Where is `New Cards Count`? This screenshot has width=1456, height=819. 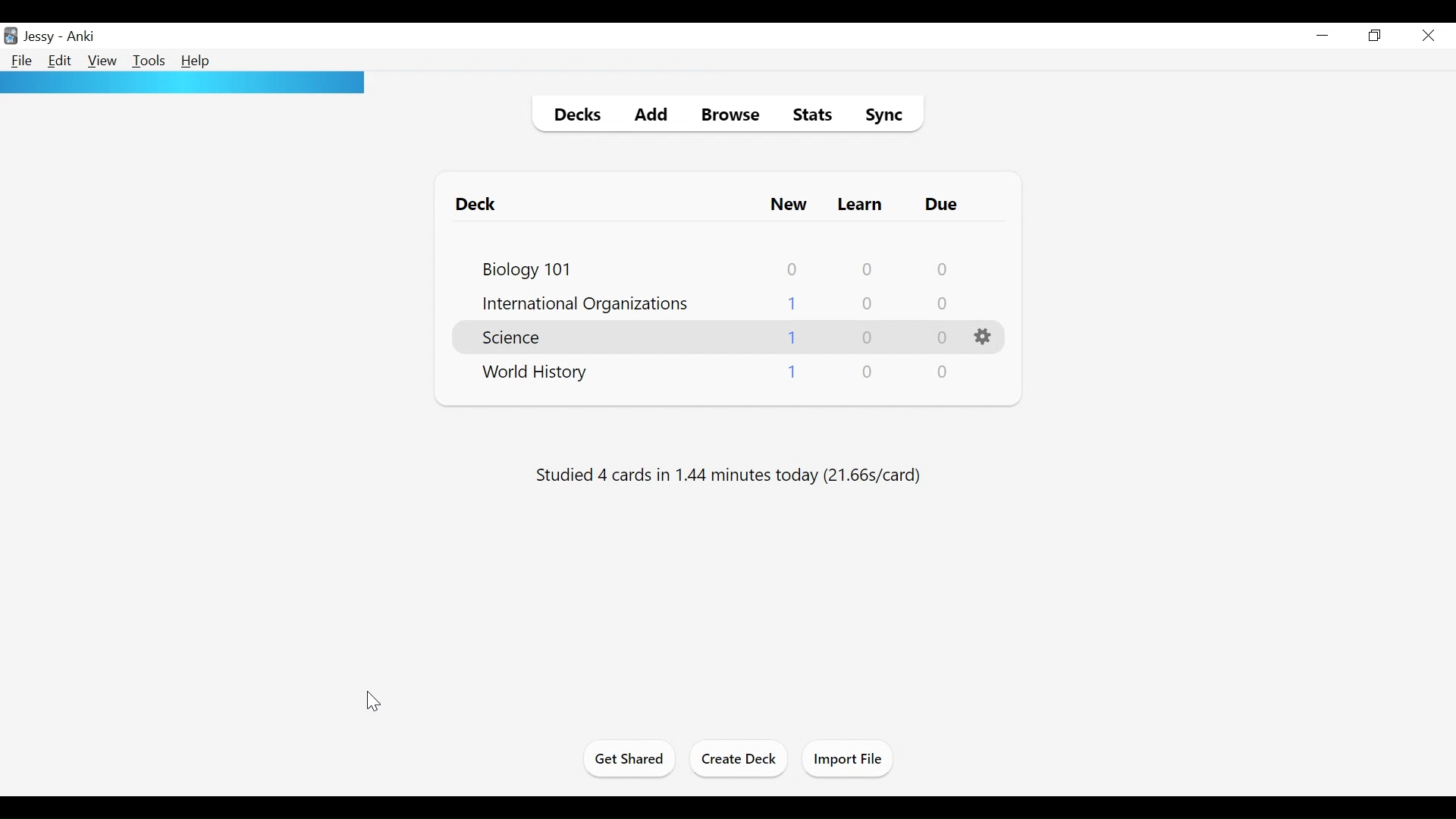
New Cards Count is located at coordinates (792, 339).